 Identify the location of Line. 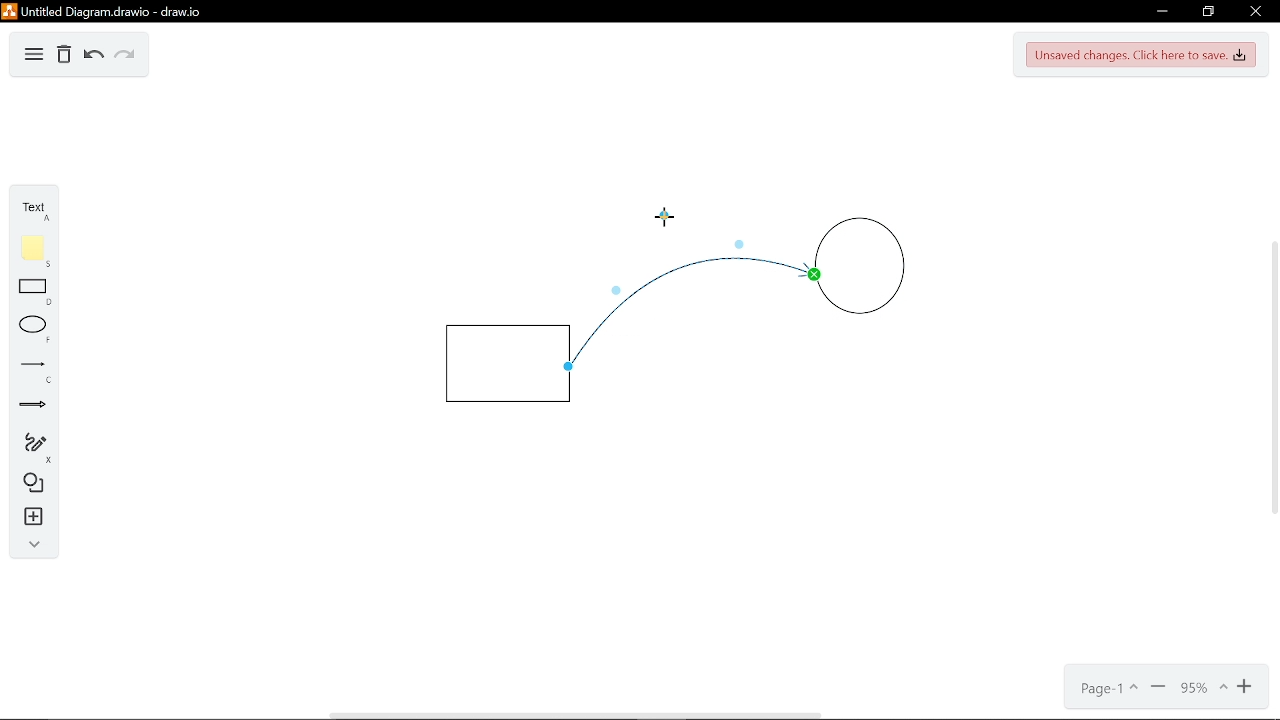
(30, 367).